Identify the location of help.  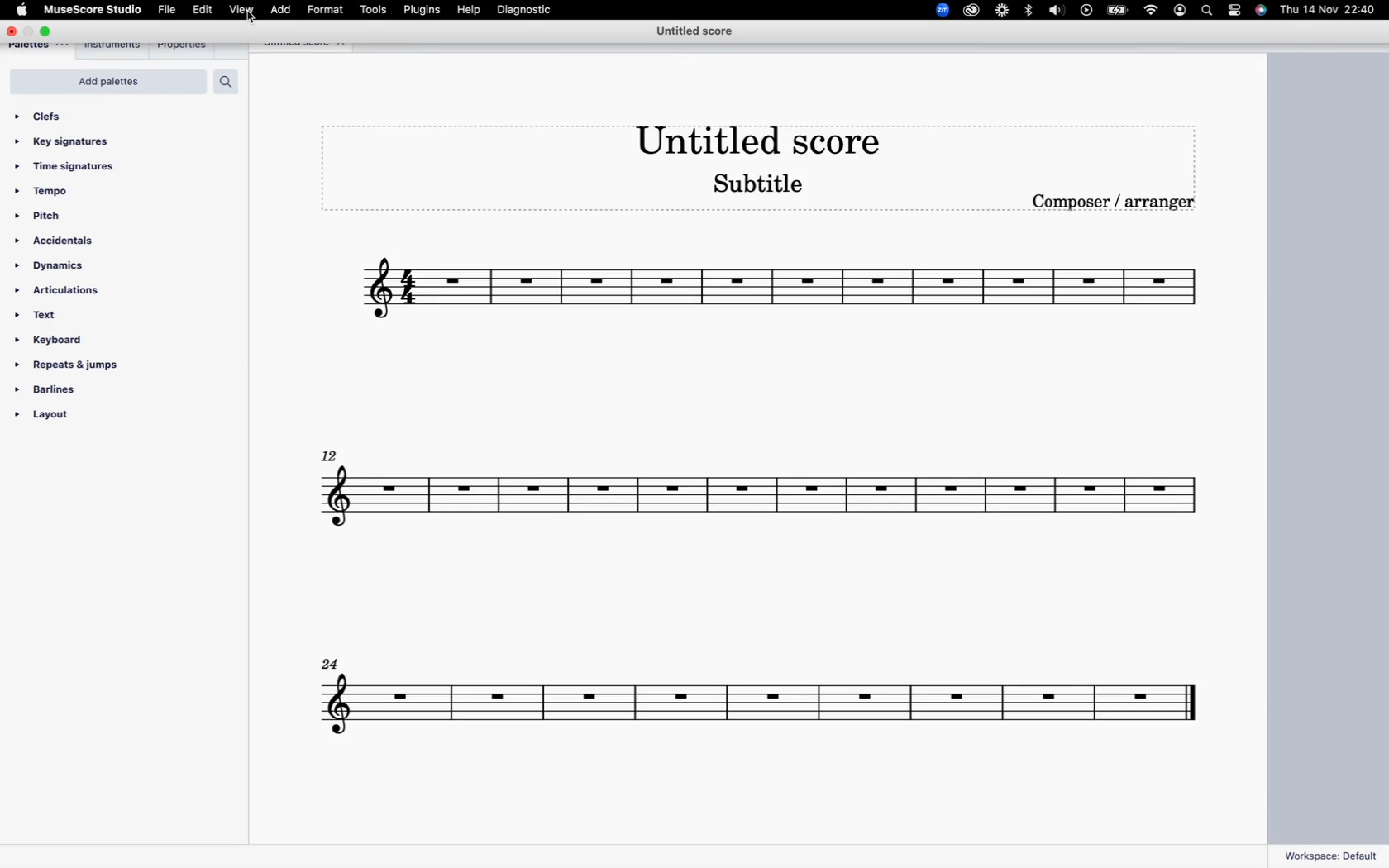
(472, 12).